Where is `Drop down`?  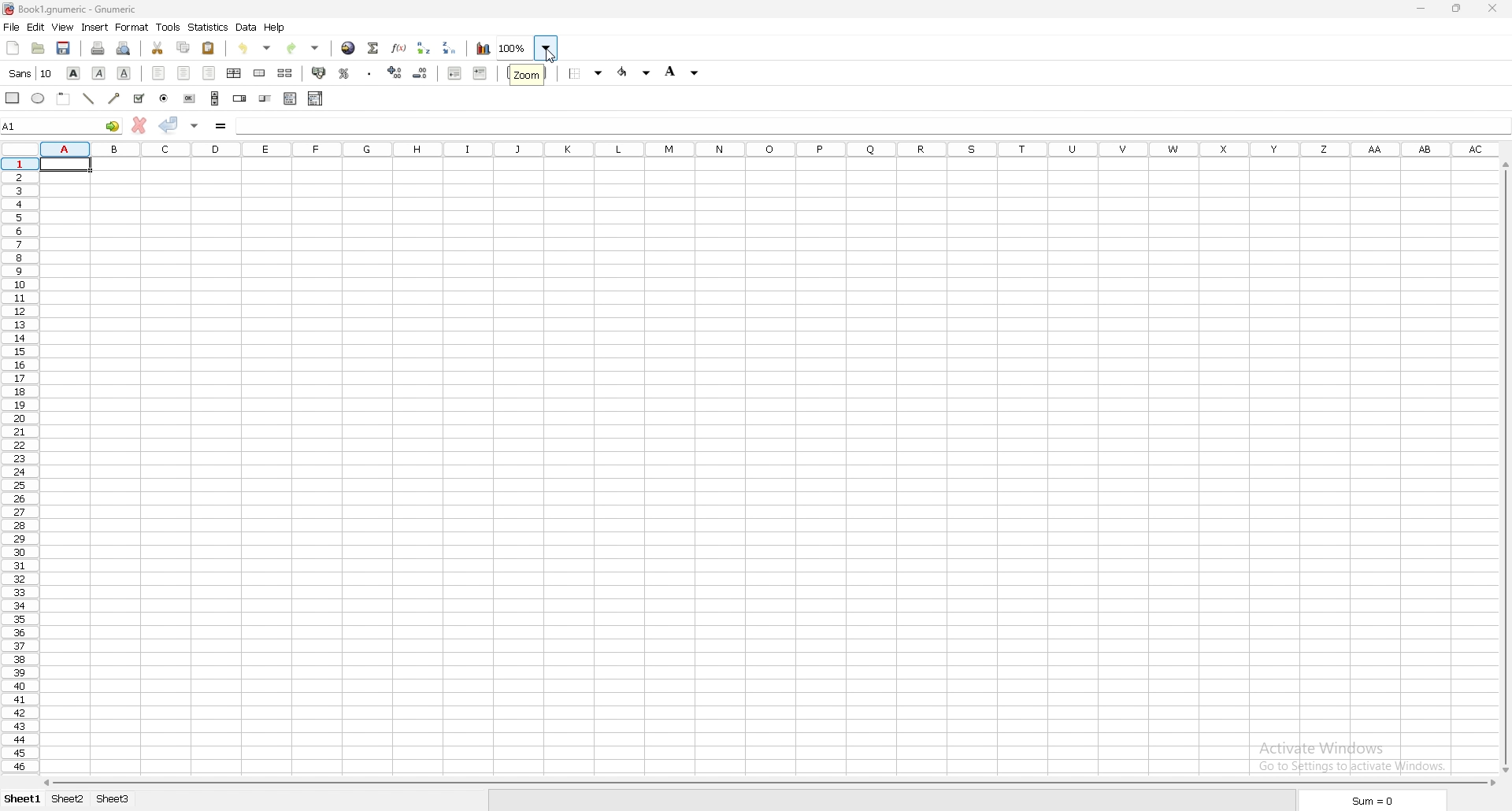
Drop down is located at coordinates (546, 47).